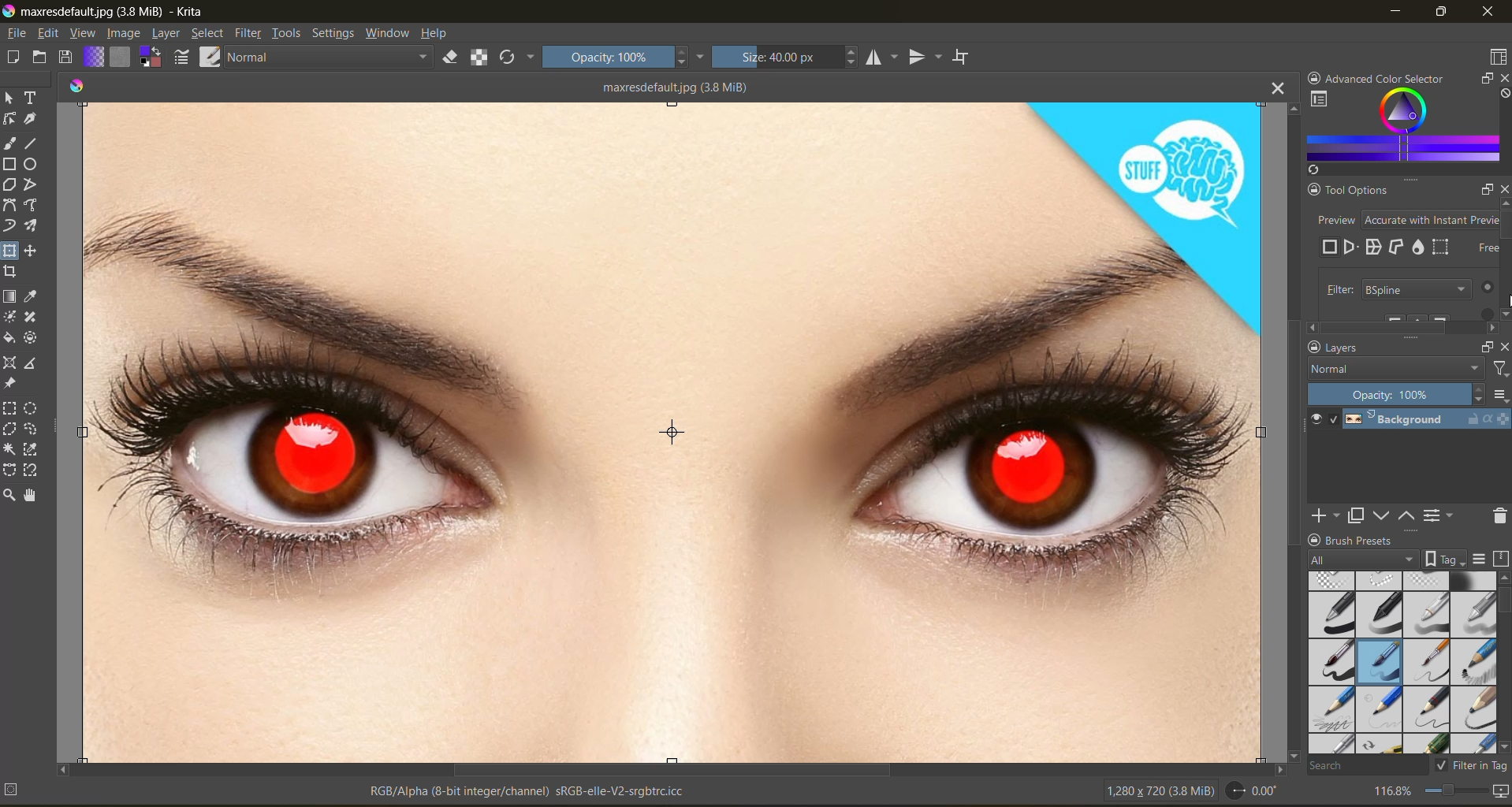  I want to click on reload original preset, so click(512, 58).